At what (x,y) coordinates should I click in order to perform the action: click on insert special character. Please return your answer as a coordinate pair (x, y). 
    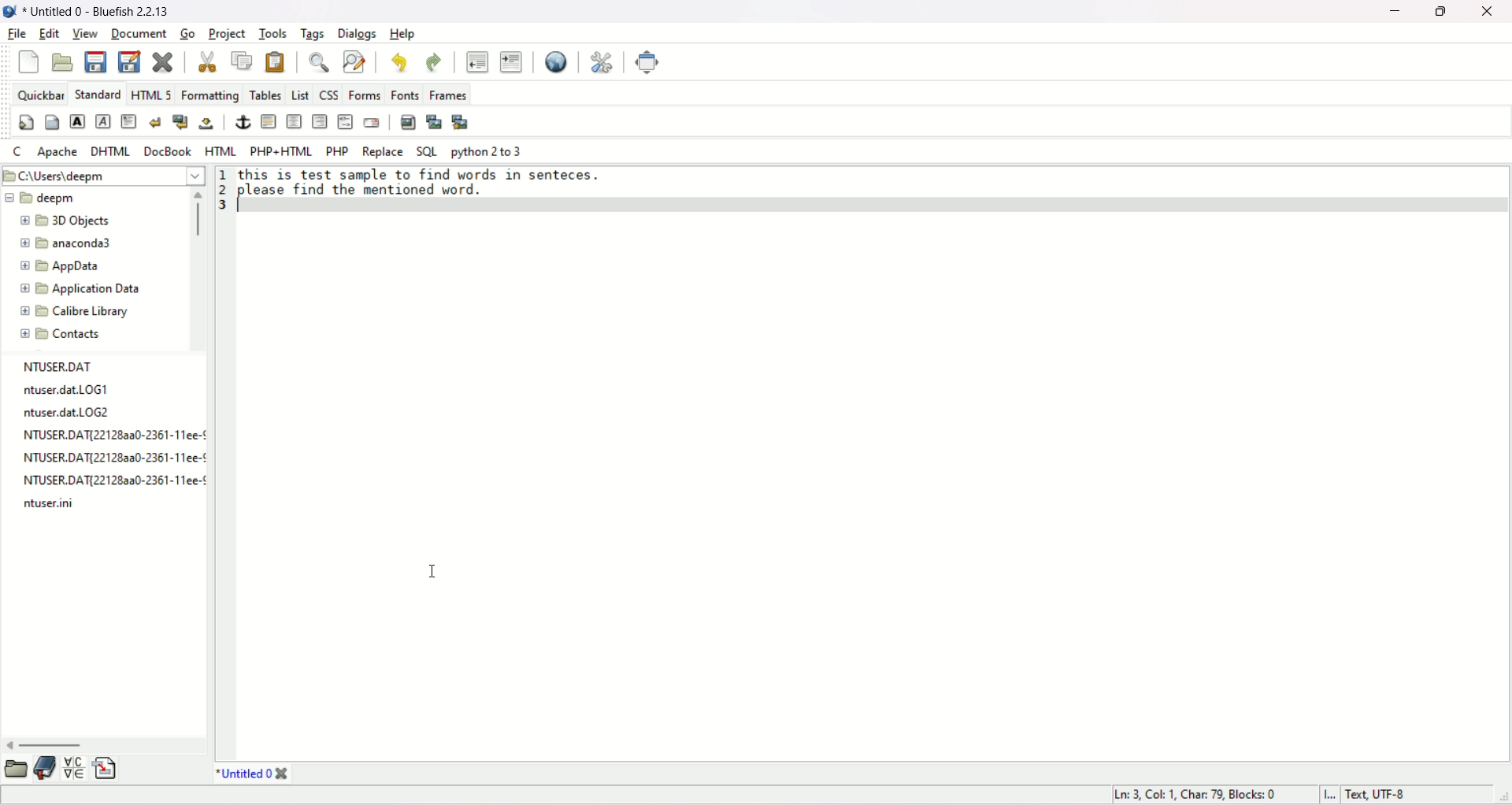
    Looking at the image, I should click on (74, 768).